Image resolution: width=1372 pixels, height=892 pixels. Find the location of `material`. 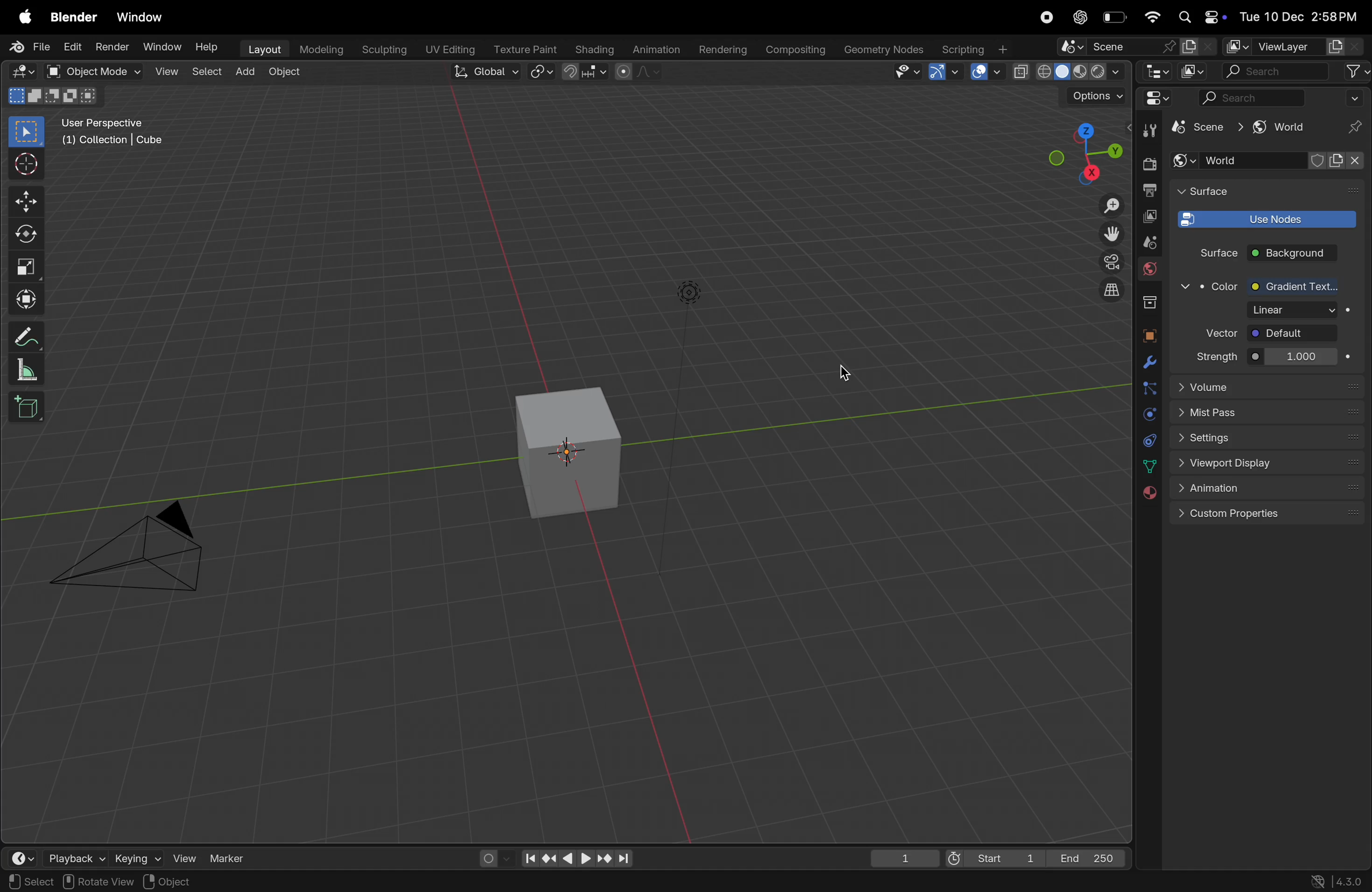

material is located at coordinates (1148, 494).